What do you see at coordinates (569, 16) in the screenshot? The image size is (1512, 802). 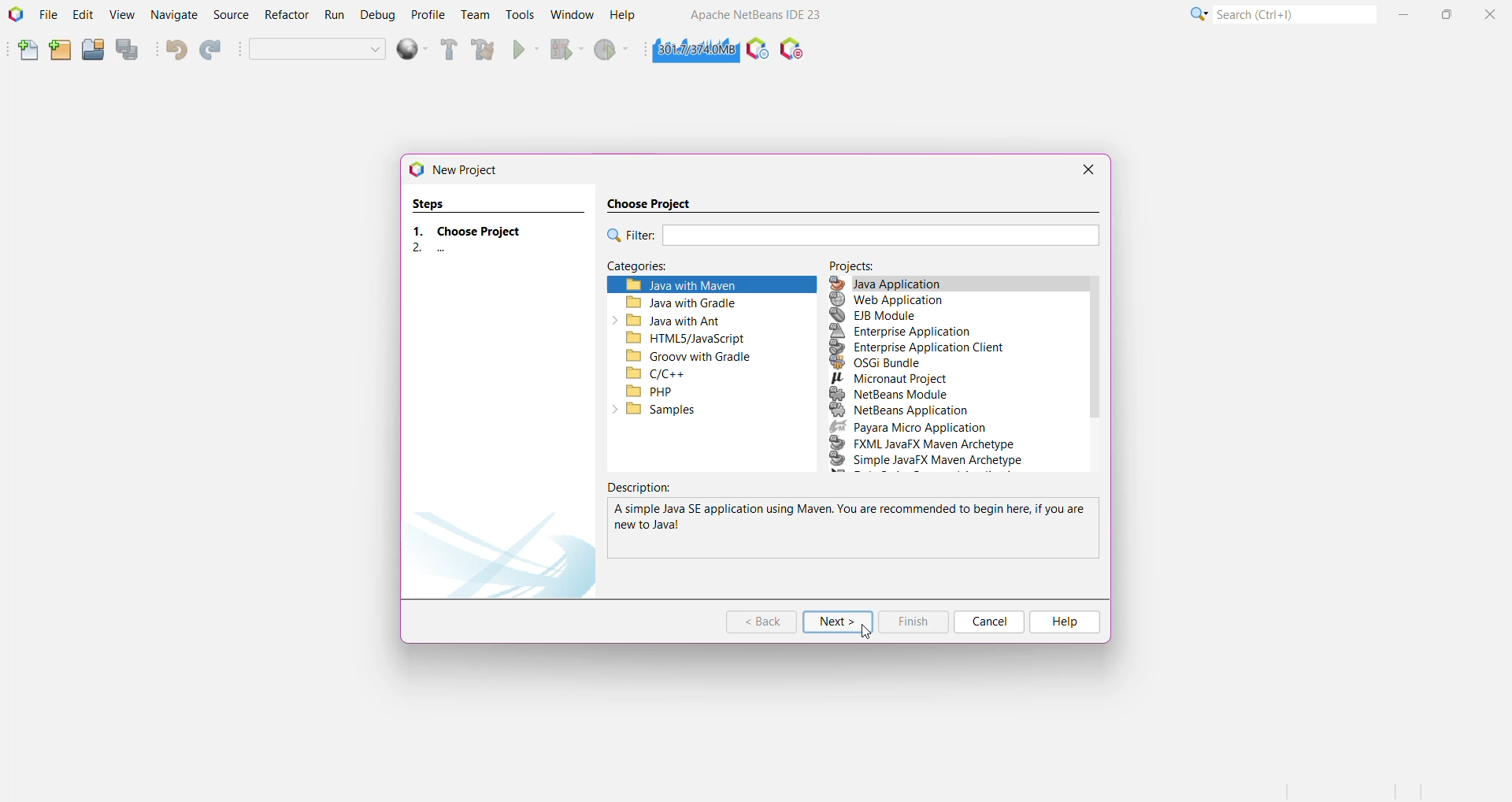 I see `Window` at bounding box center [569, 16].